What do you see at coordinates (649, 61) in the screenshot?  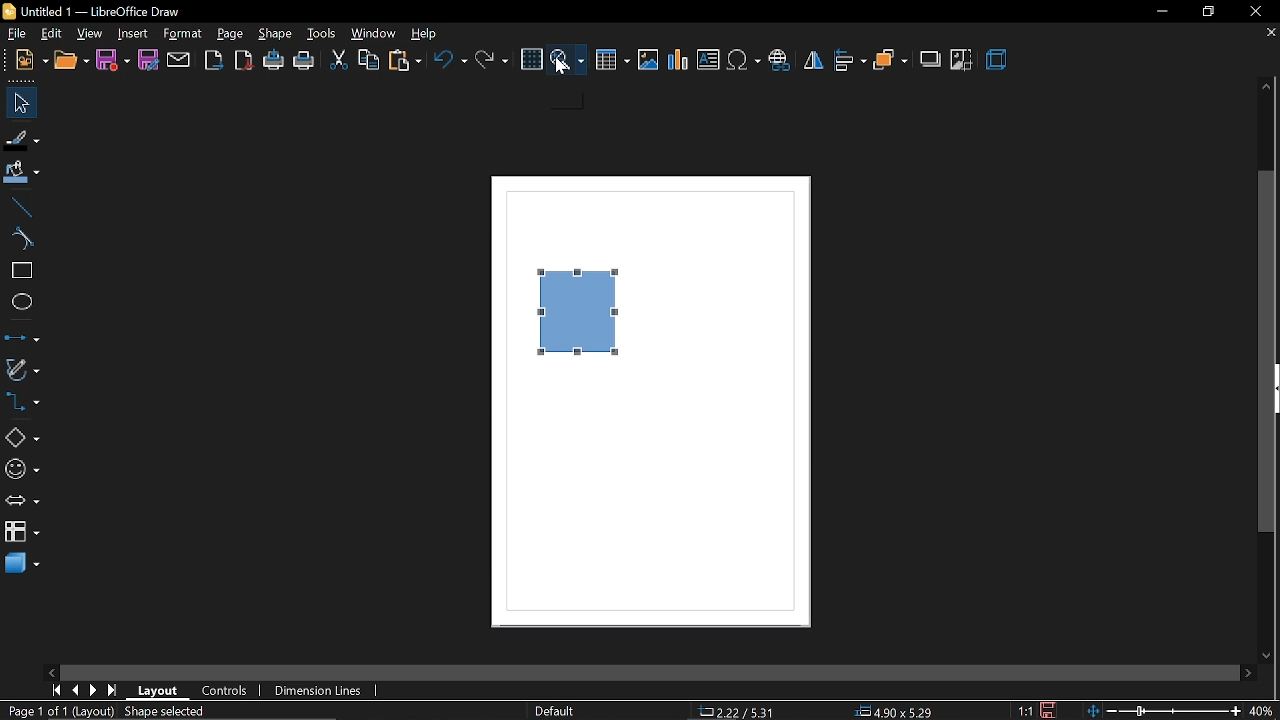 I see `Insert image` at bounding box center [649, 61].